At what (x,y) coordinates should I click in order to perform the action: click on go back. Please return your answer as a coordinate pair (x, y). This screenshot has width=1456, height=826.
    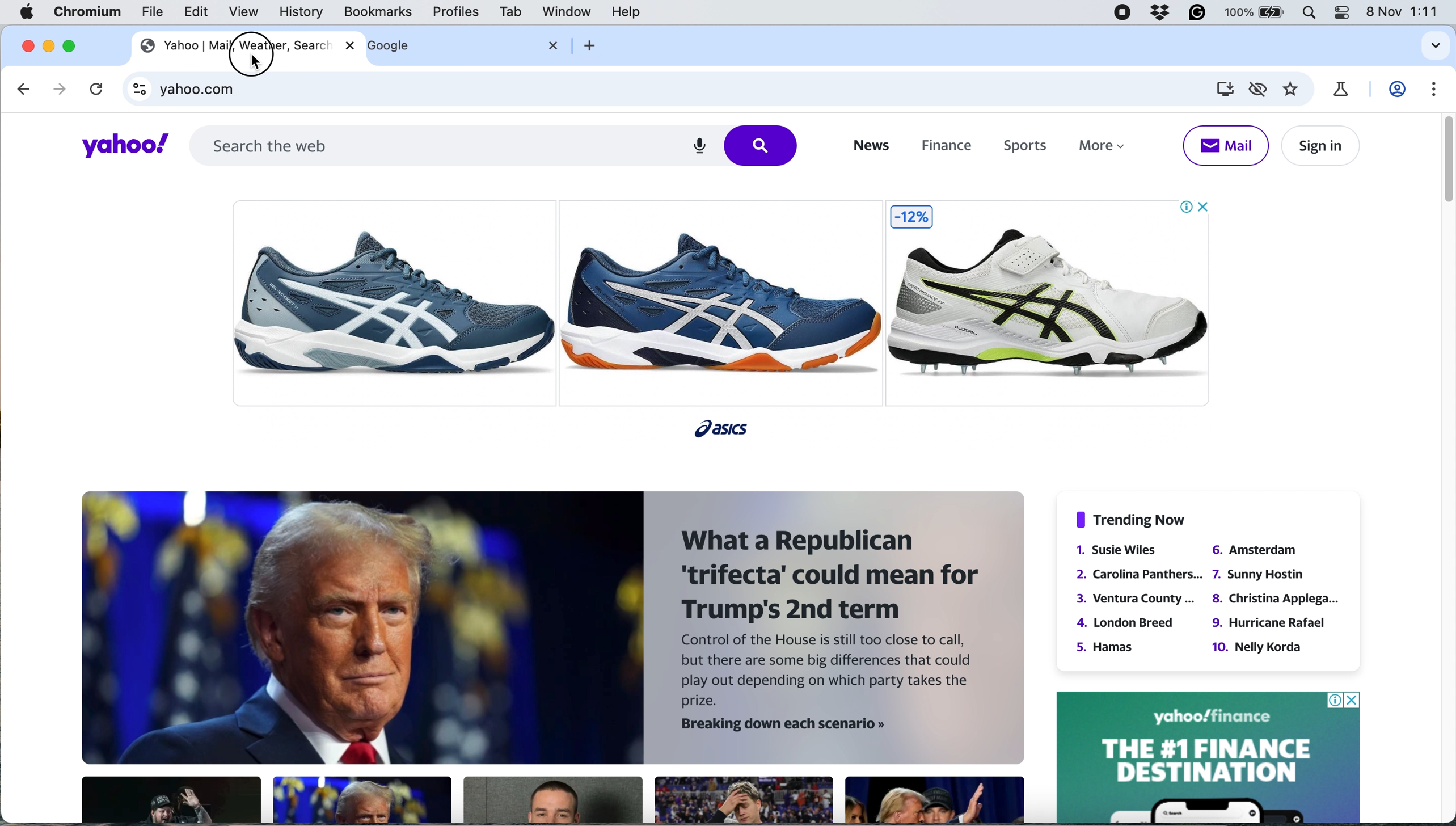
    Looking at the image, I should click on (25, 89).